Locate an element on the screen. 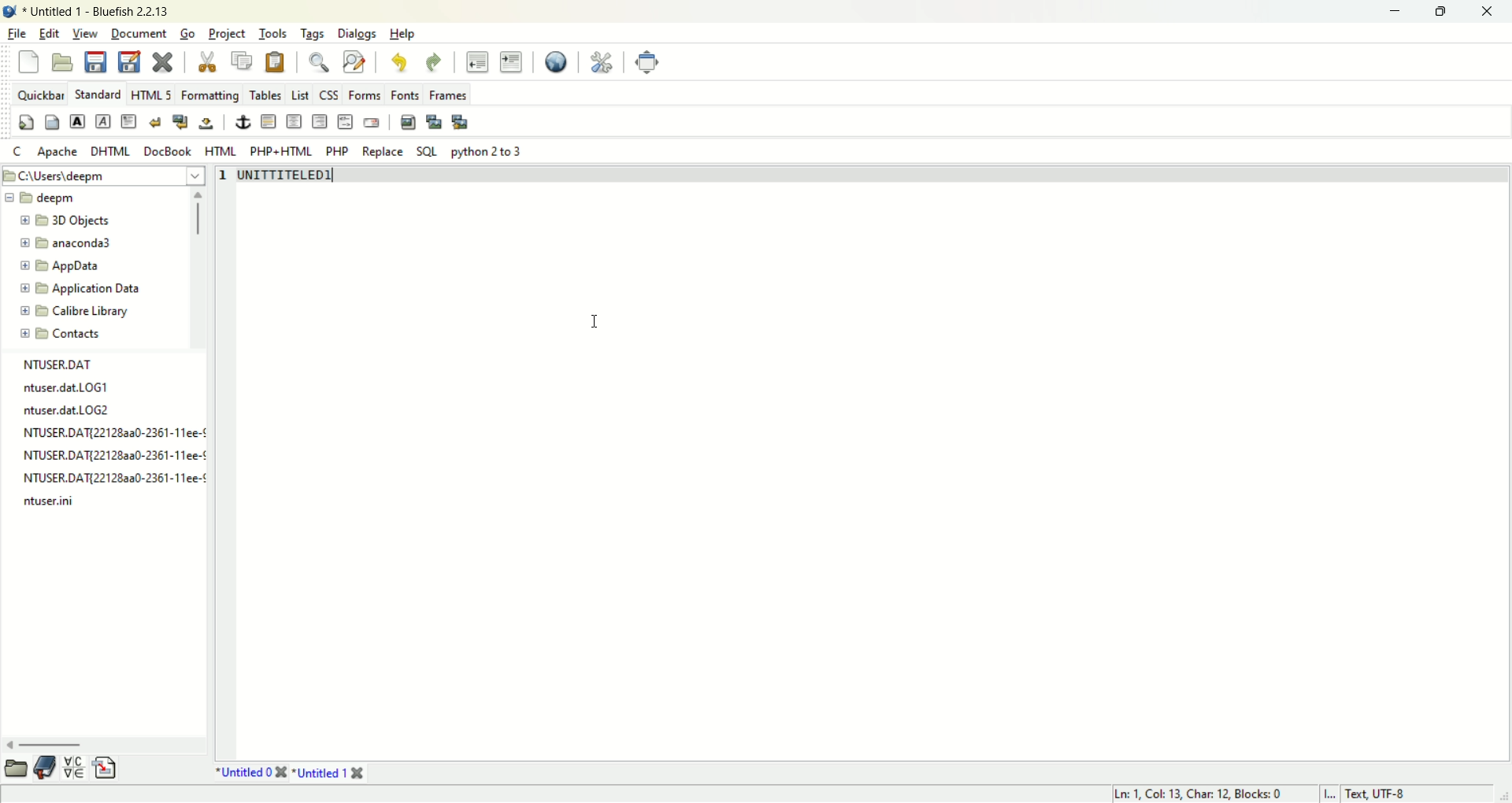 Image resolution: width=1512 pixels, height=803 pixels. center is located at coordinates (296, 122).